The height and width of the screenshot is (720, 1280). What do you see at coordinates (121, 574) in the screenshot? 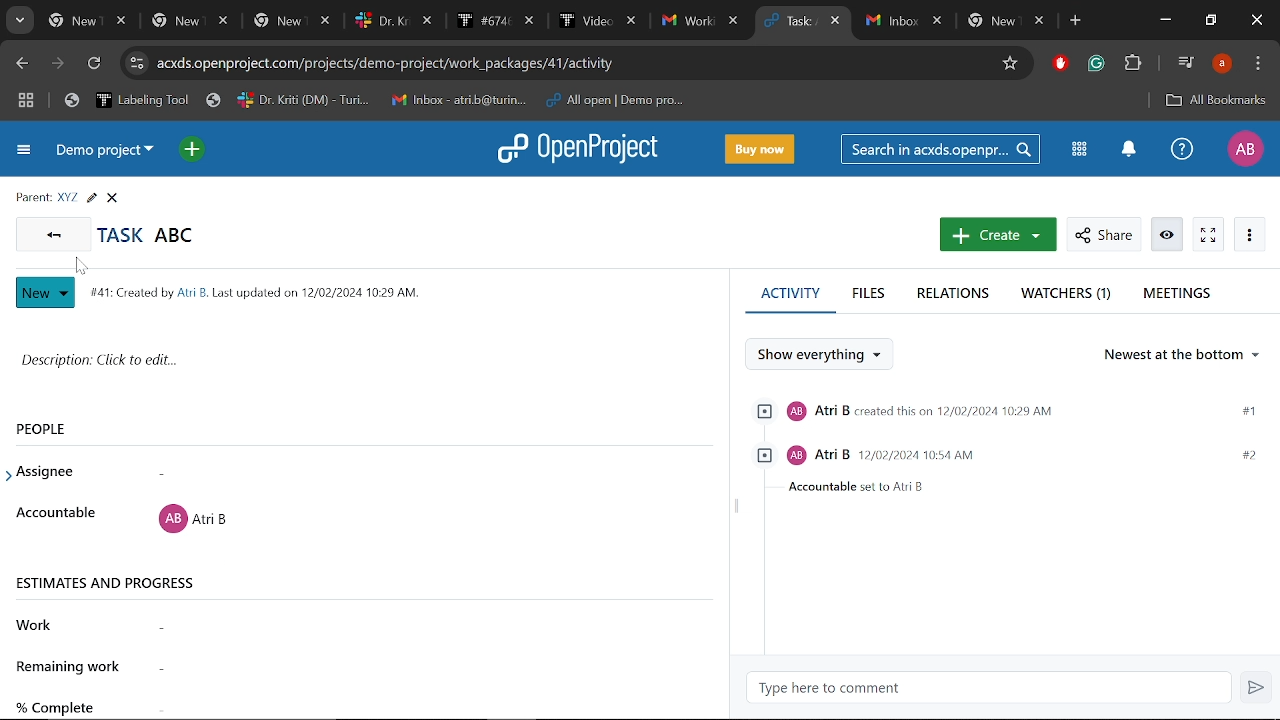
I see `Estimates and progress` at bounding box center [121, 574].